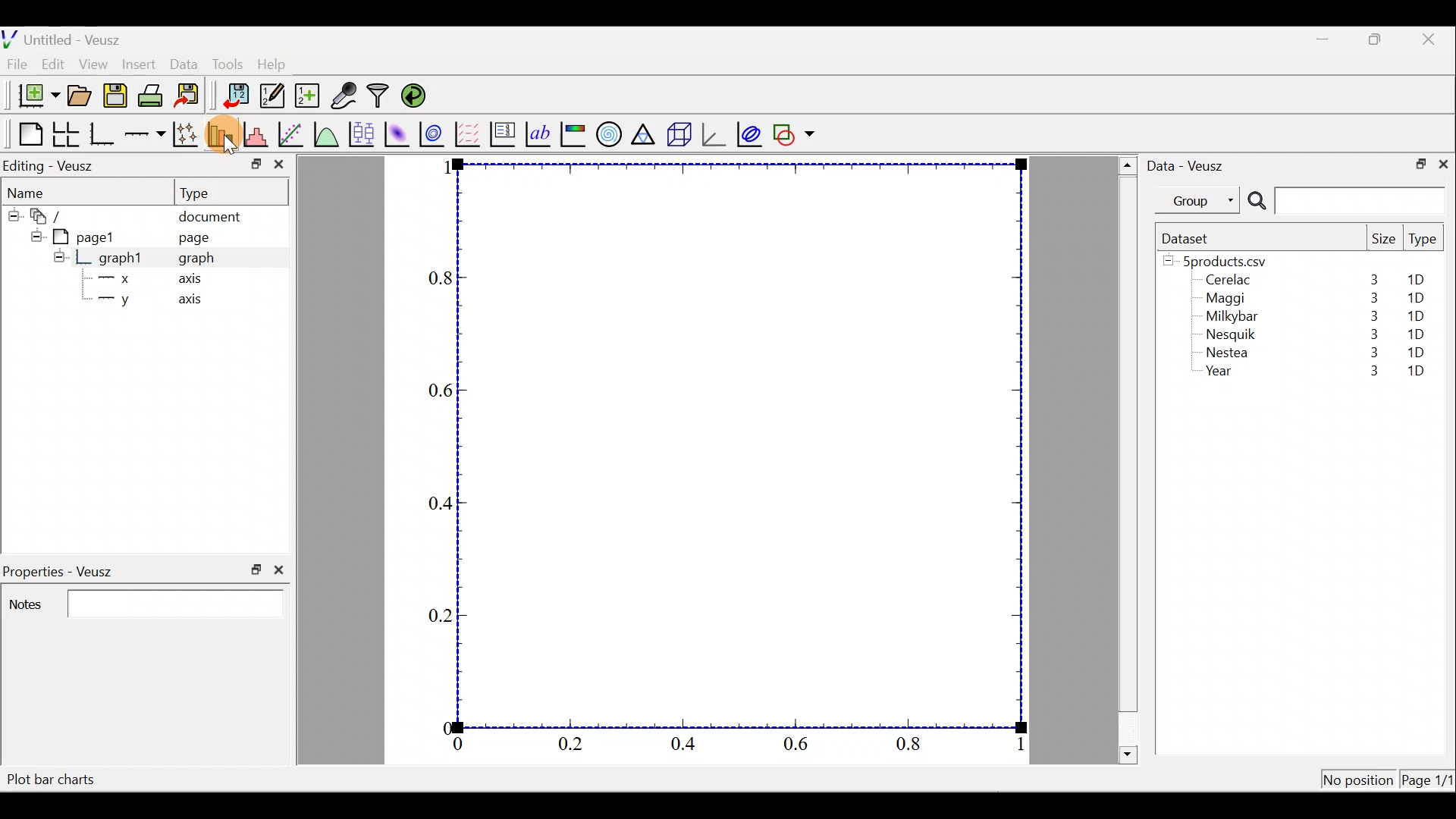 The width and height of the screenshot is (1456, 819). Describe the element at coordinates (209, 214) in the screenshot. I see `document` at that location.